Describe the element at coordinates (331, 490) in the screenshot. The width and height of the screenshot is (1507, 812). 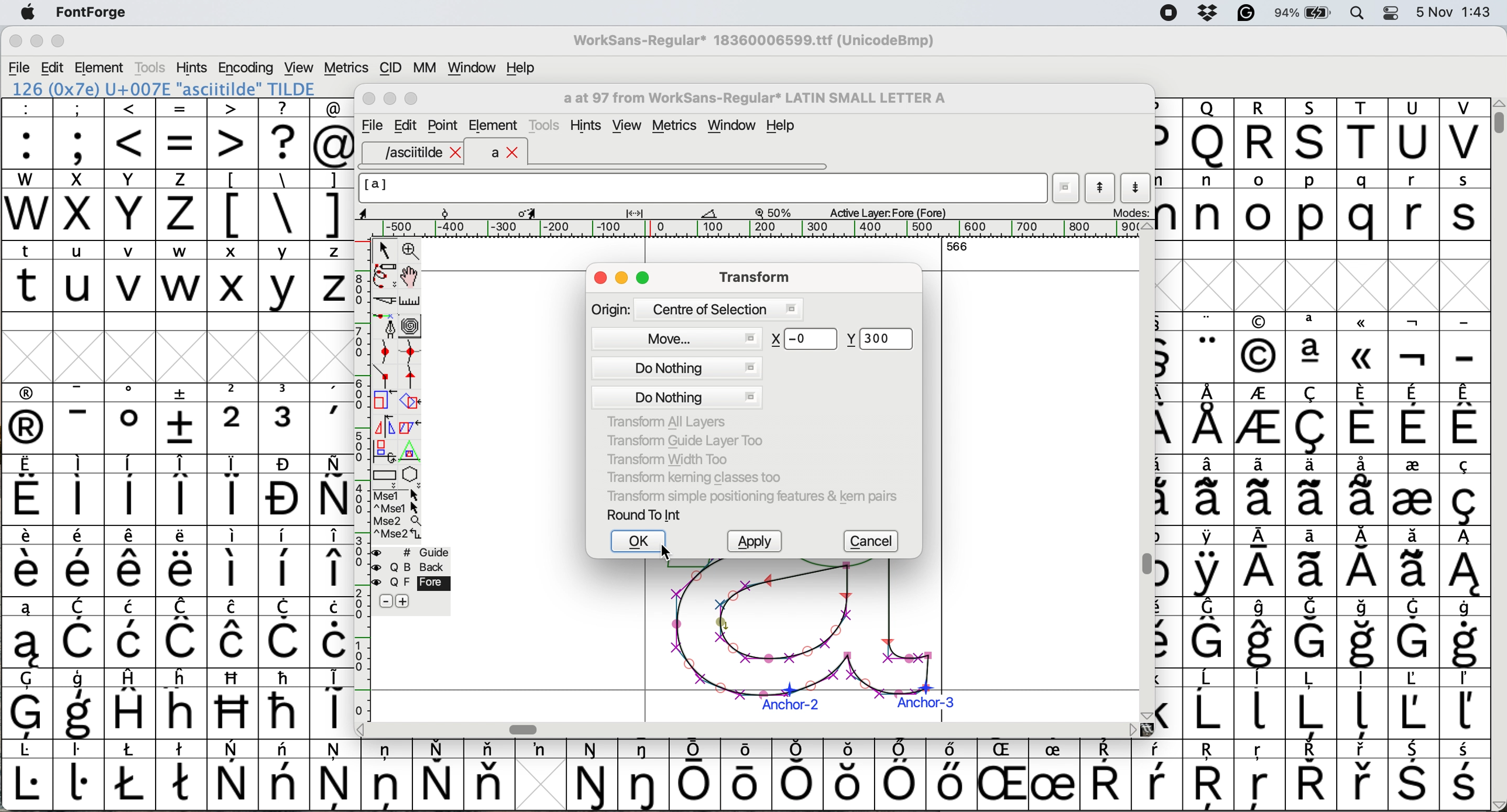
I see `symbol` at that location.